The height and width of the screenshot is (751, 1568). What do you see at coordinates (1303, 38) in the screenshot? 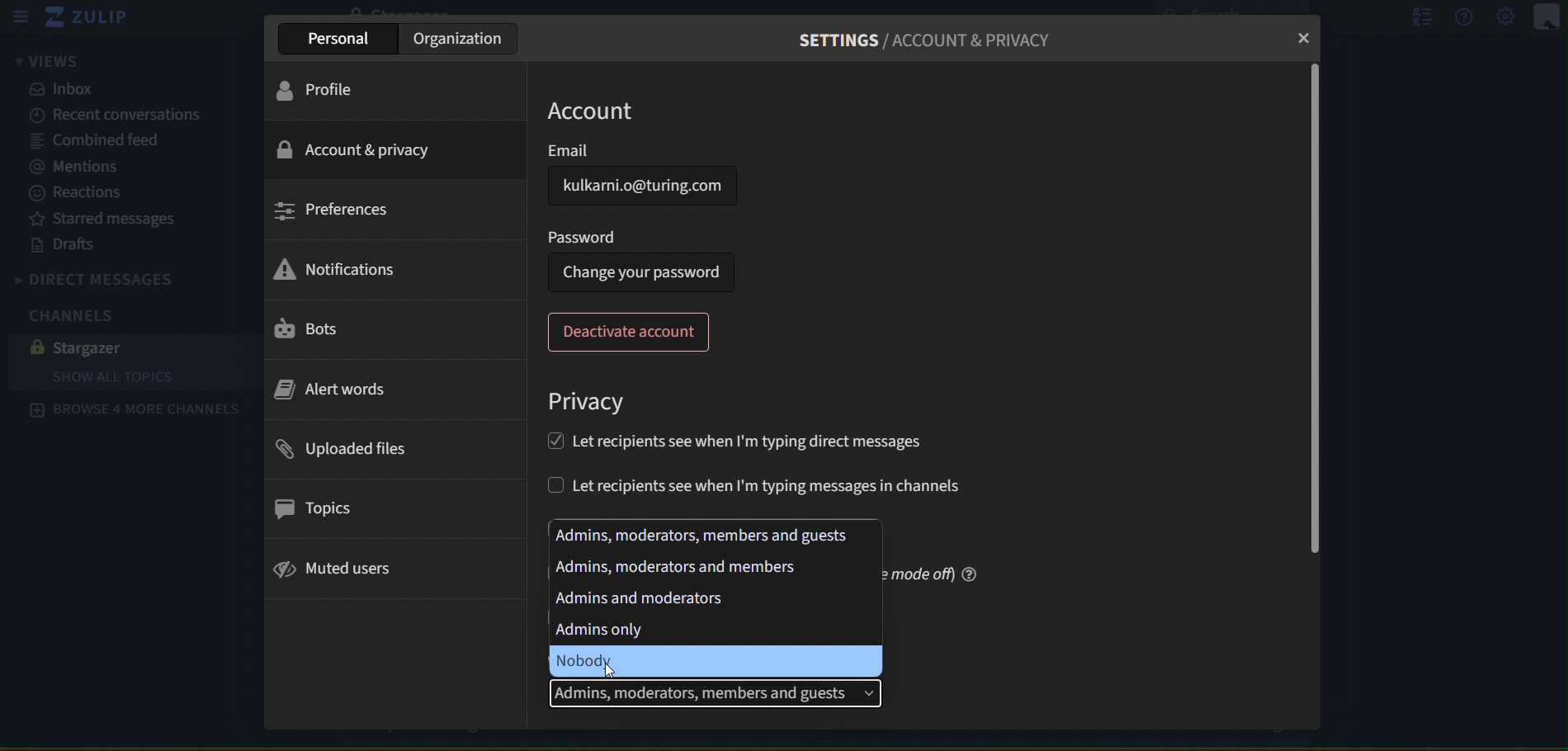
I see `close` at bounding box center [1303, 38].